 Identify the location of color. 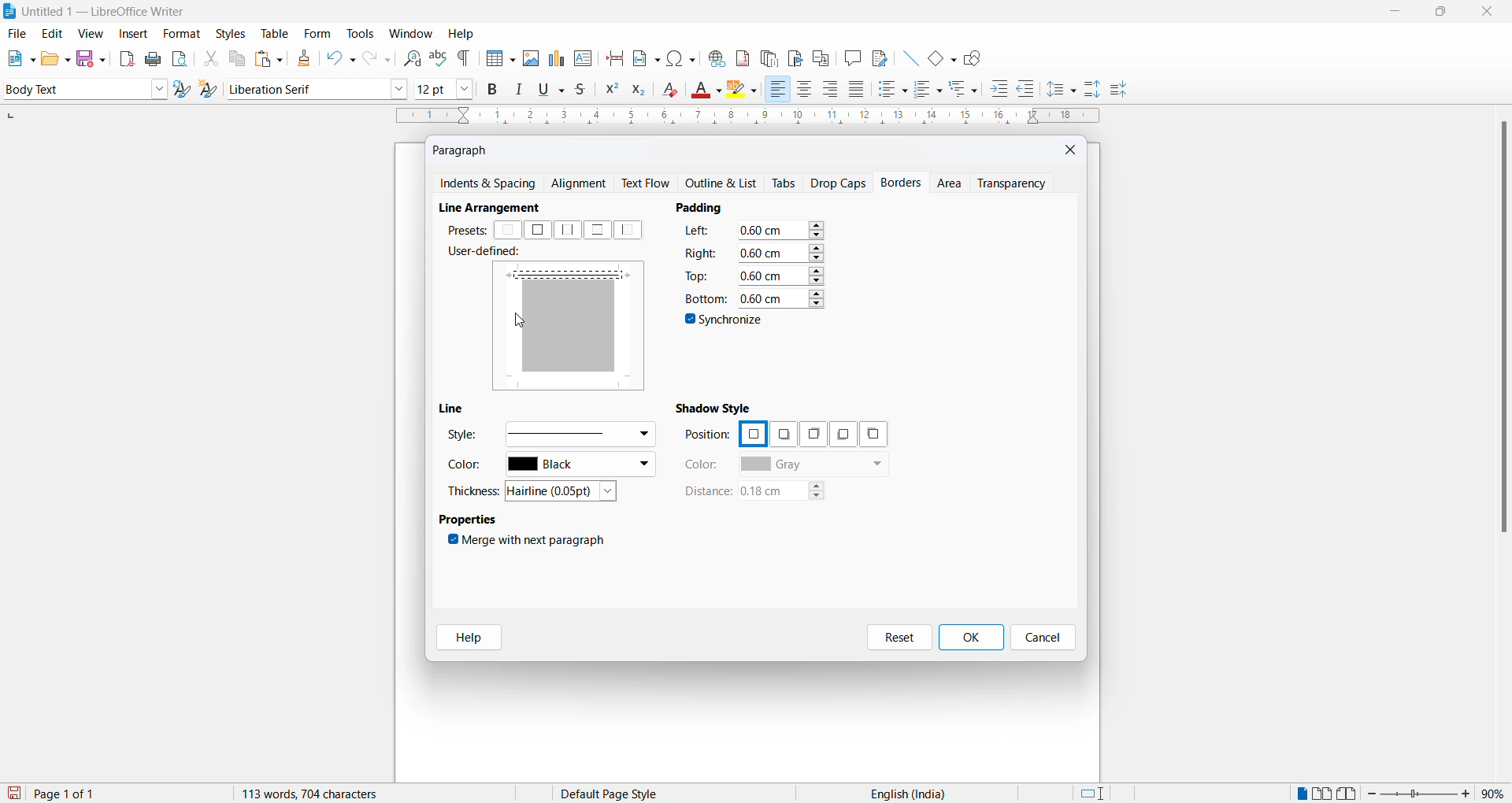
(702, 464).